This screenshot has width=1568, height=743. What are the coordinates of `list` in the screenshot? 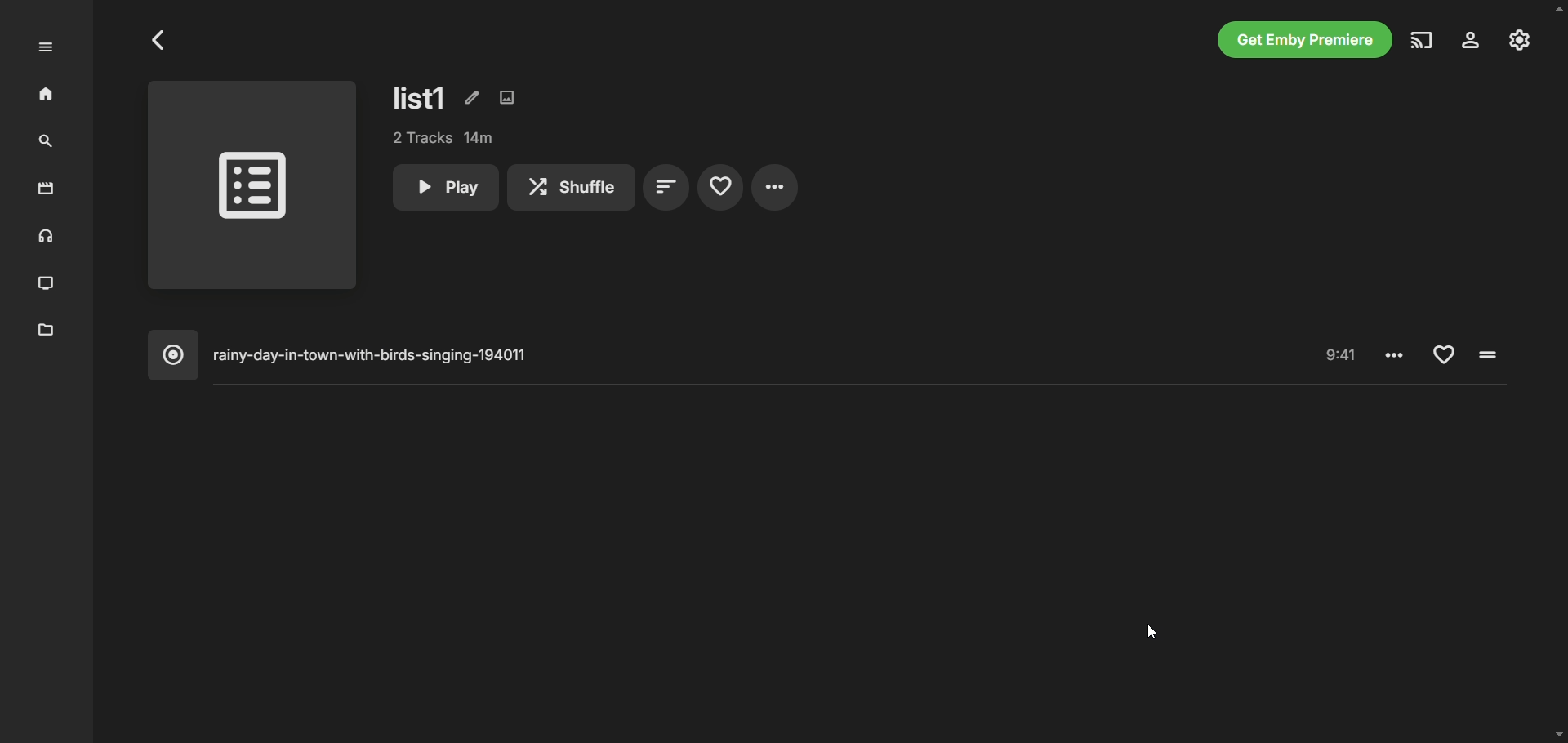 It's located at (421, 97).